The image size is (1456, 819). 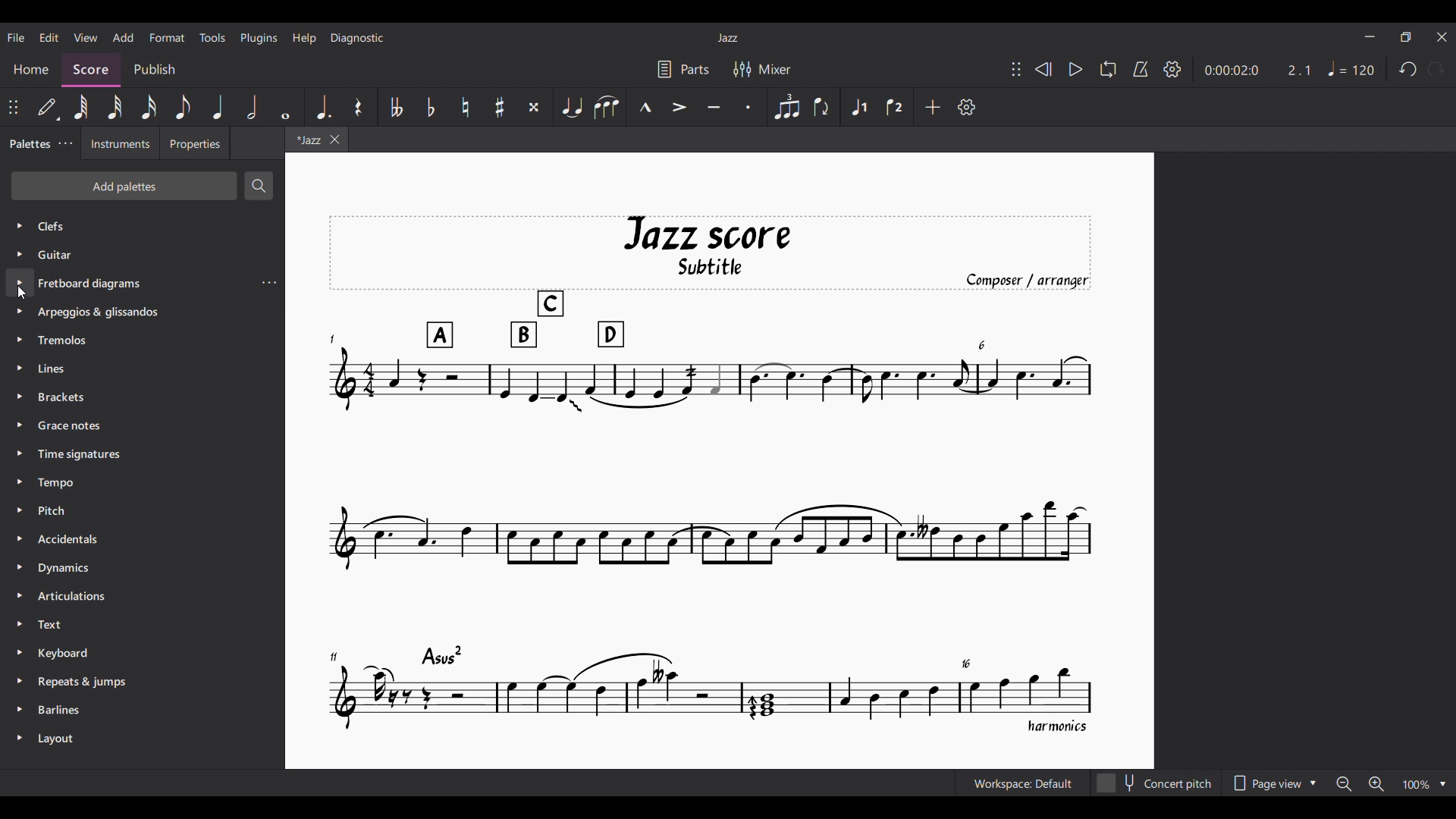 I want to click on Search, so click(x=259, y=186).